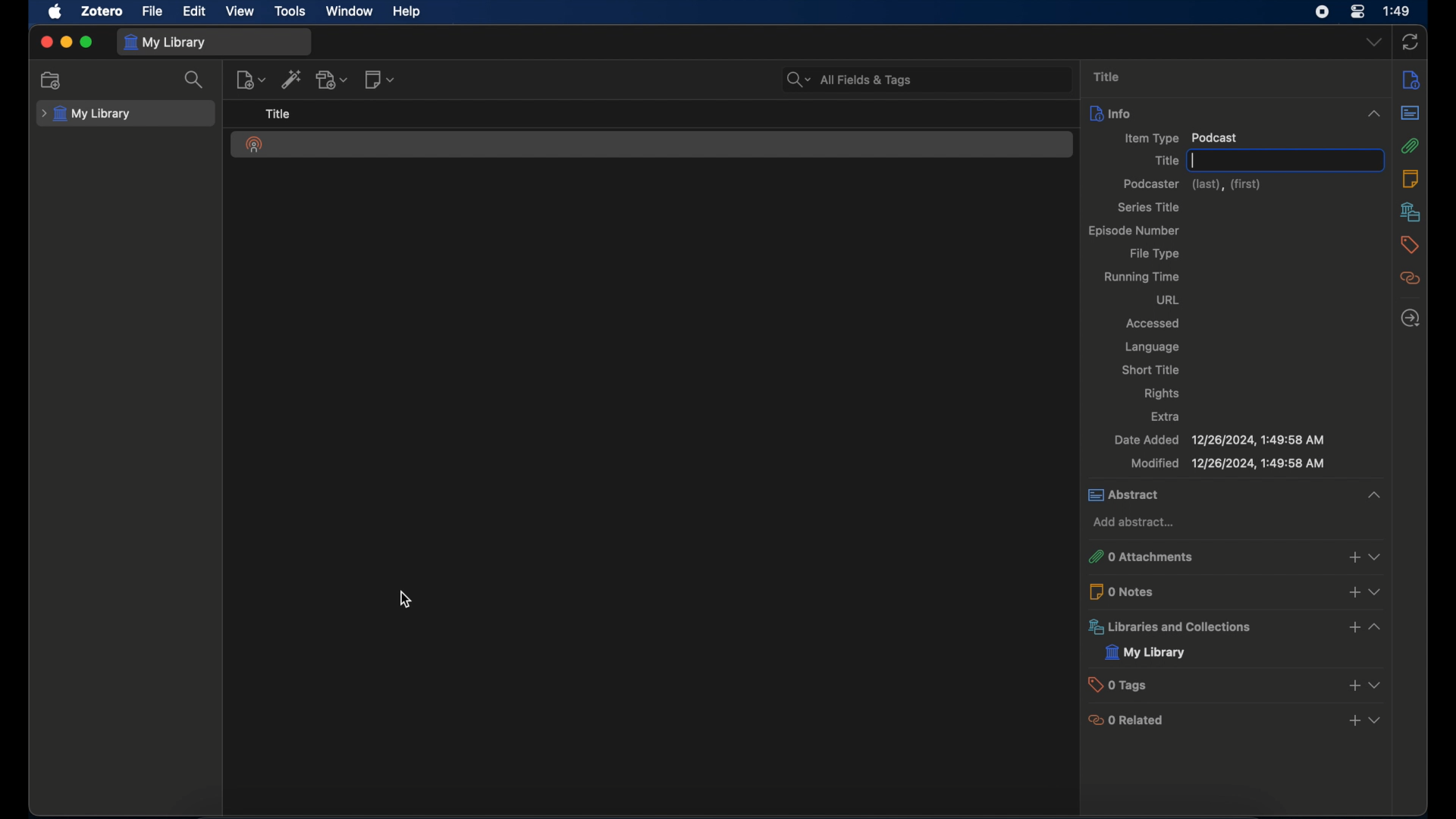 This screenshot has height=819, width=1456. I want to click on running time, so click(1143, 278).